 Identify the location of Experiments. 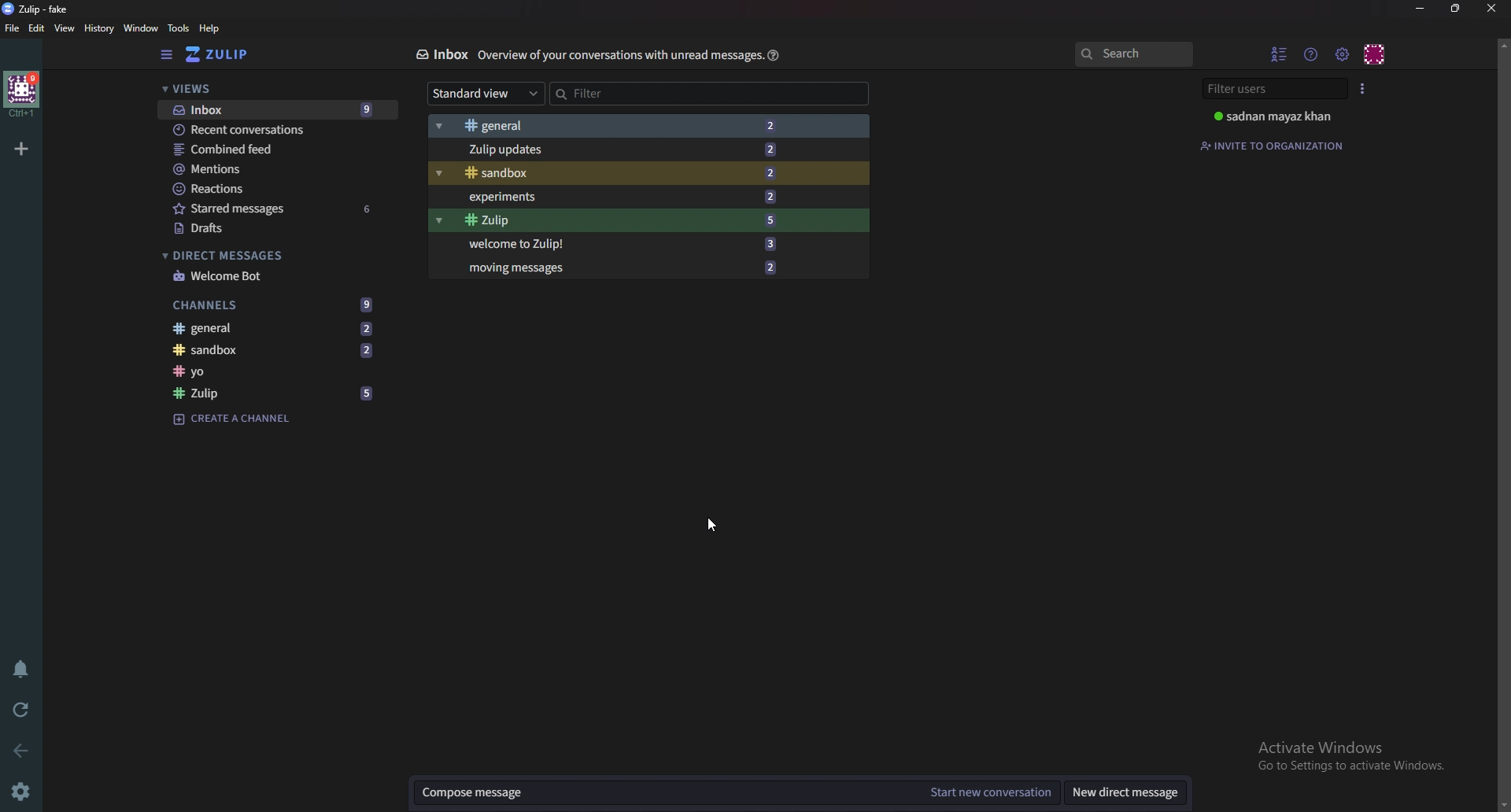
(617, 199).